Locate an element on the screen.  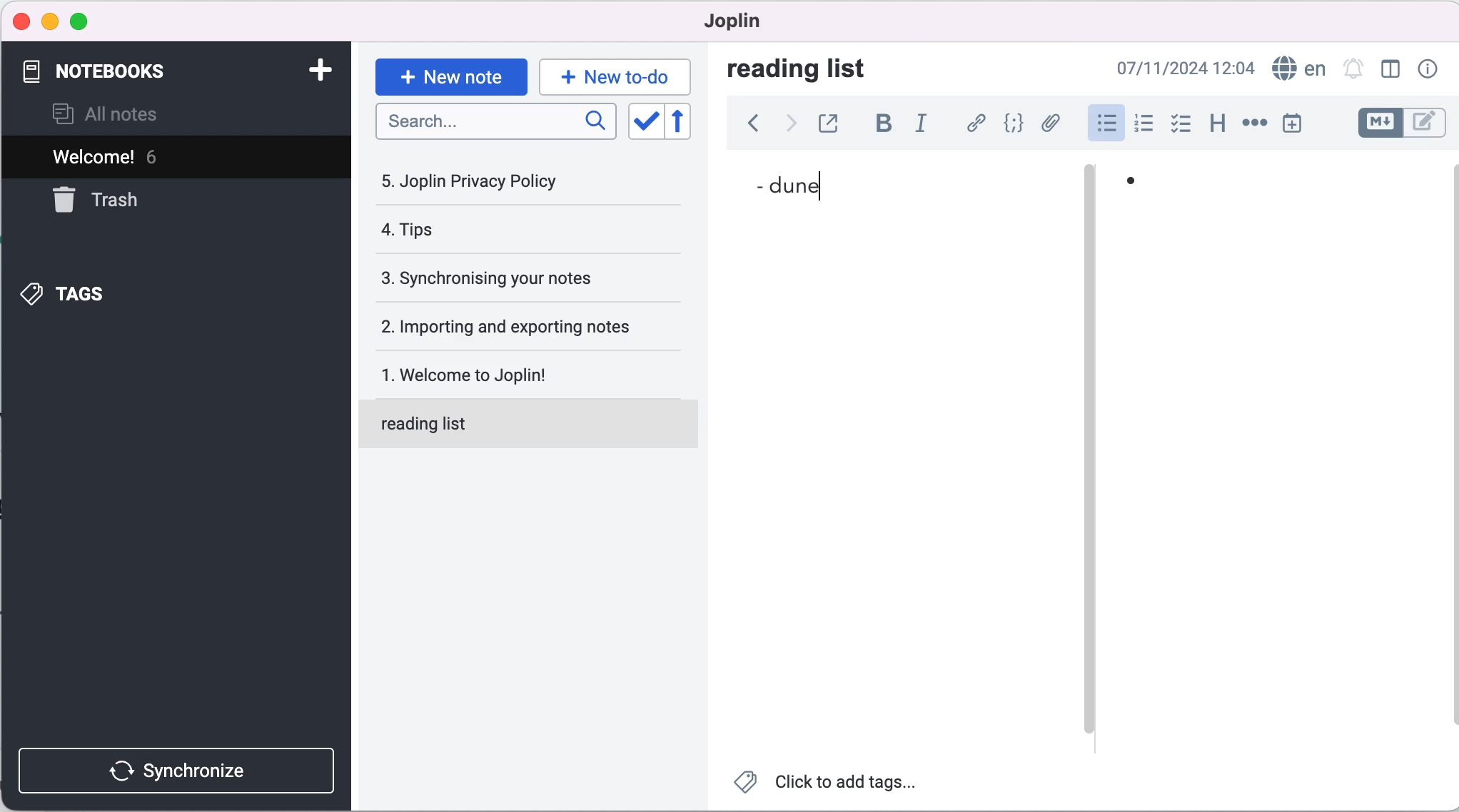
revert sort order is located at coordinates (685, 123).